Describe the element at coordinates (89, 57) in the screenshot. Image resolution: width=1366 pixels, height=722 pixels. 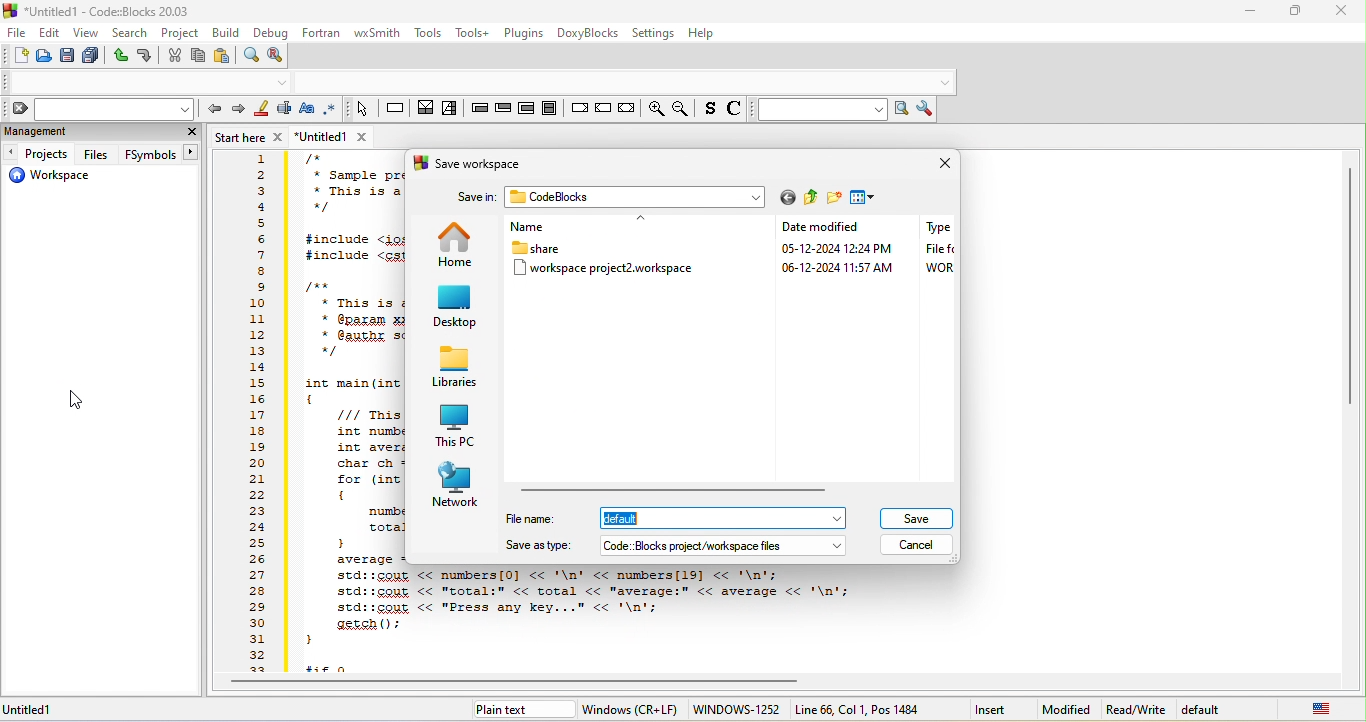
I see `save everything` at that location.